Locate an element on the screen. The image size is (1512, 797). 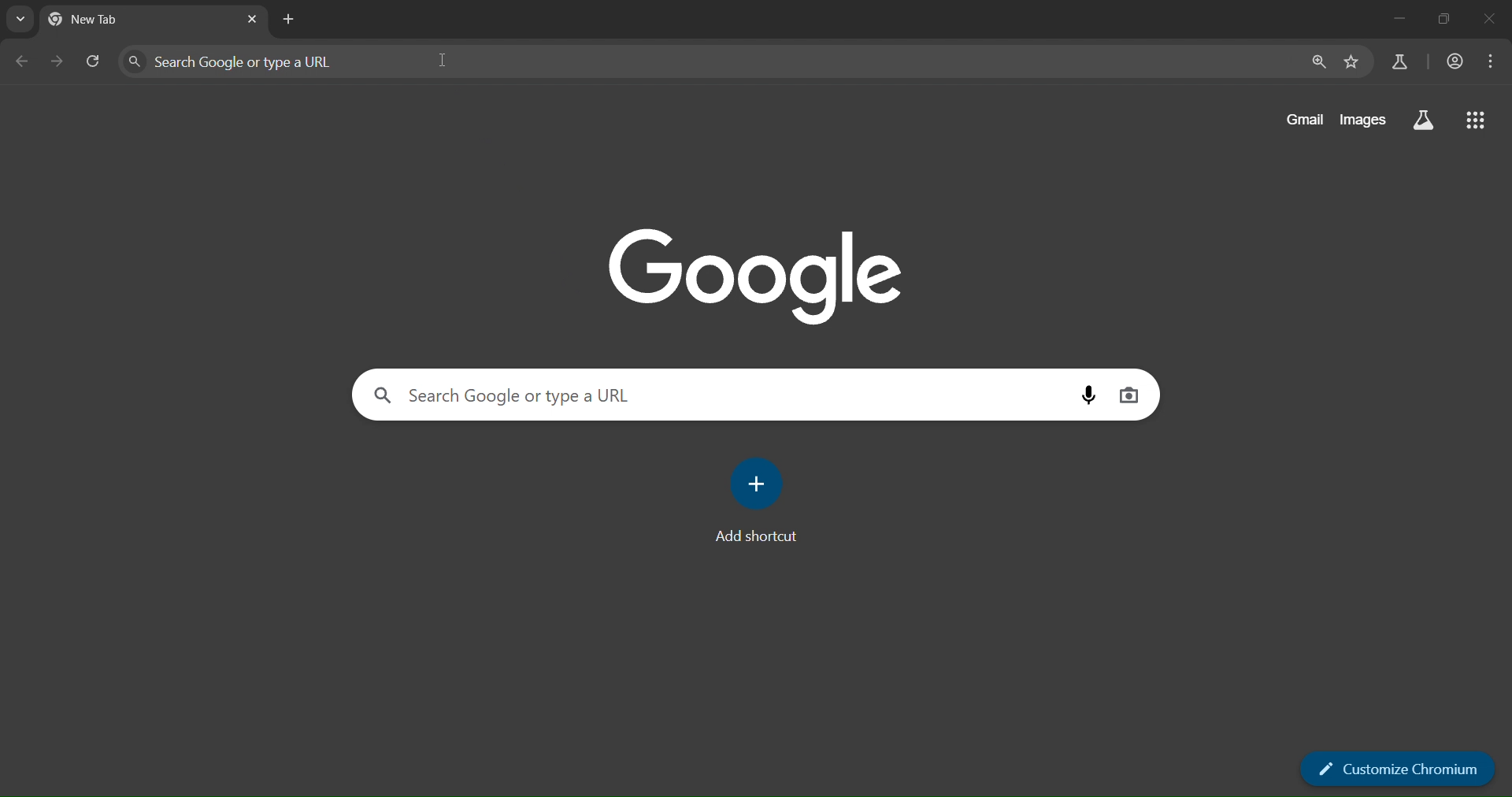
images is located at coordinates (1364, 122).